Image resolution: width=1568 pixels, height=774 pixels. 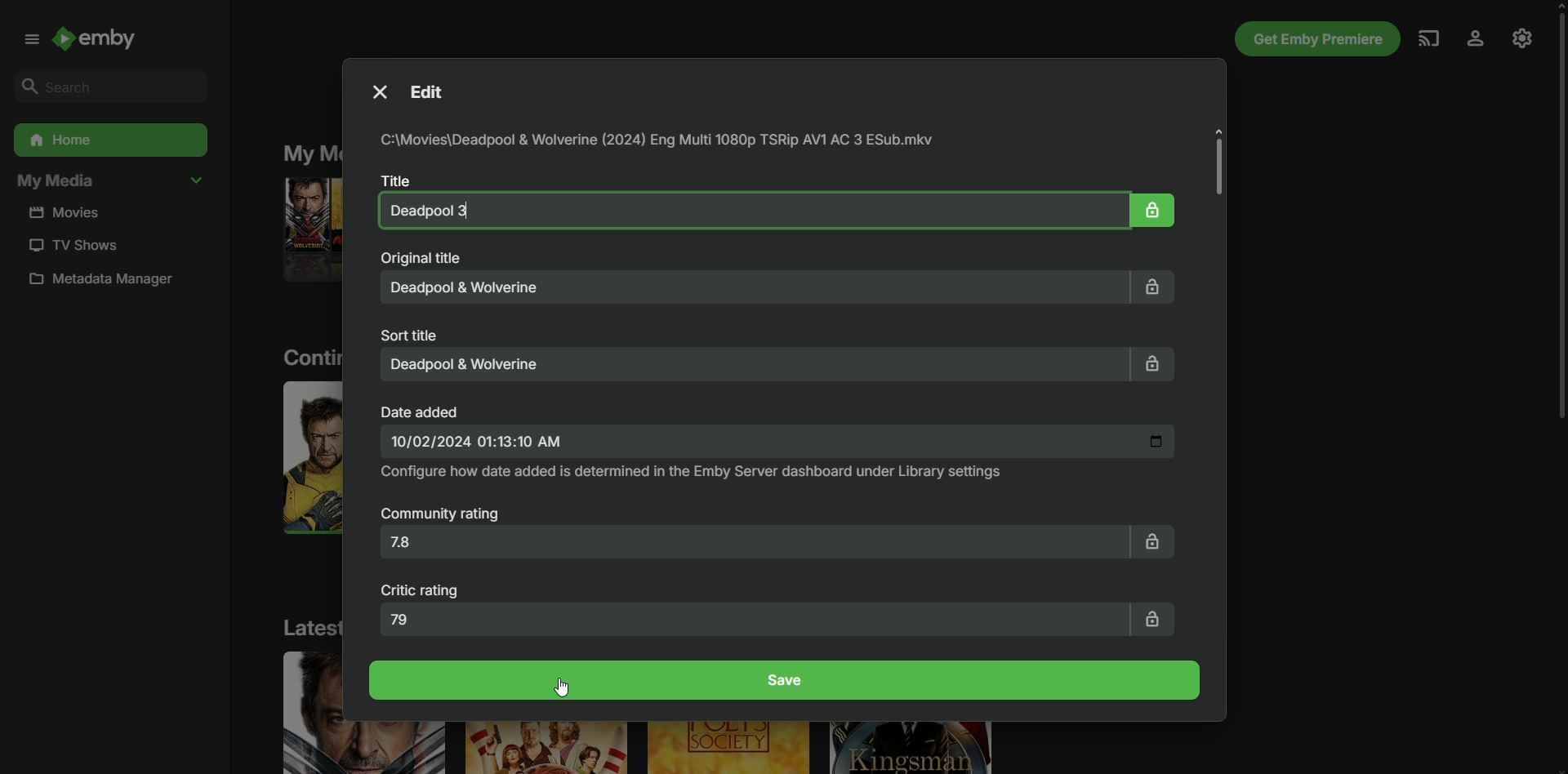 What do you see at coordinates (422, 411) in the screenshot?
I see `Date added` at bounding box center [422, 411].